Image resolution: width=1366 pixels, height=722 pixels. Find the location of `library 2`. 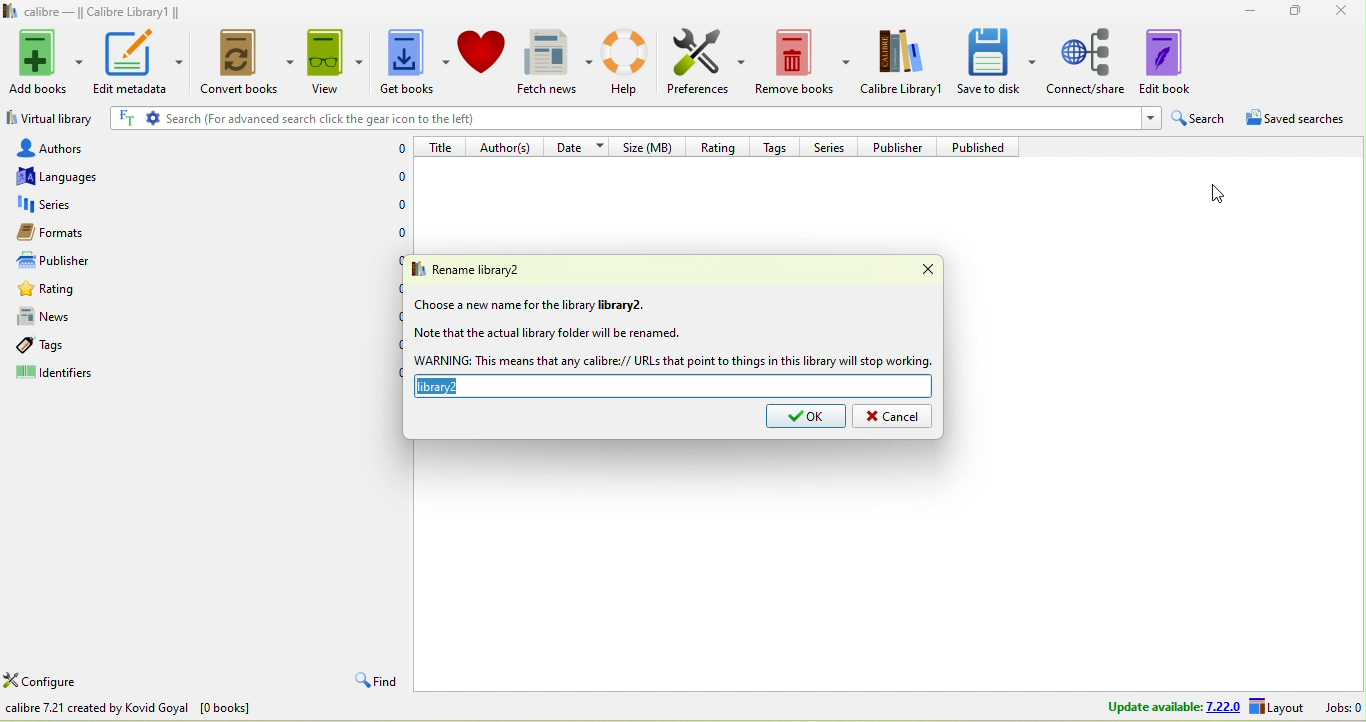

library 2 is located at coordinates (675, 388).